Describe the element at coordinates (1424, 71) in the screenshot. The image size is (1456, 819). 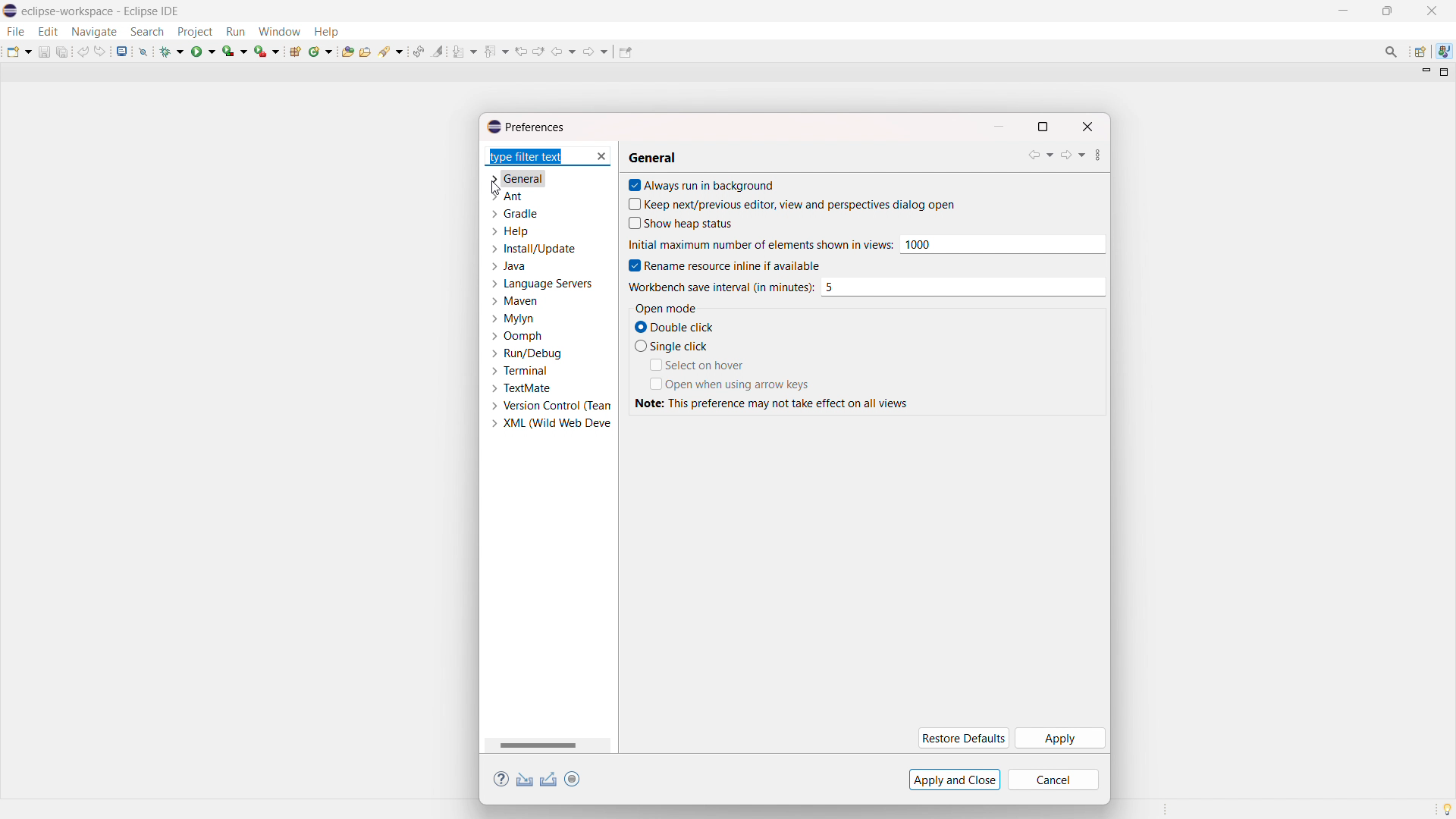
I see `minimize view` at that location.